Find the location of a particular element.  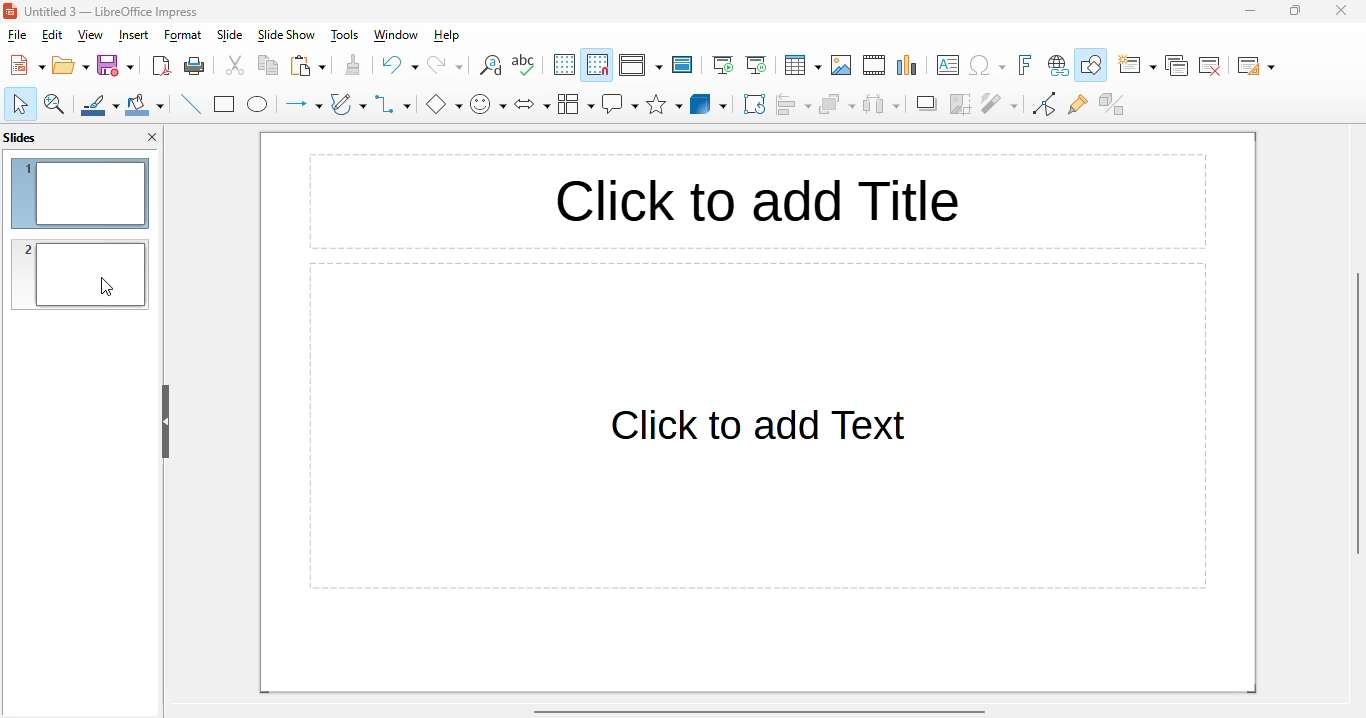

insert text box is located at coordinates (949, 64).